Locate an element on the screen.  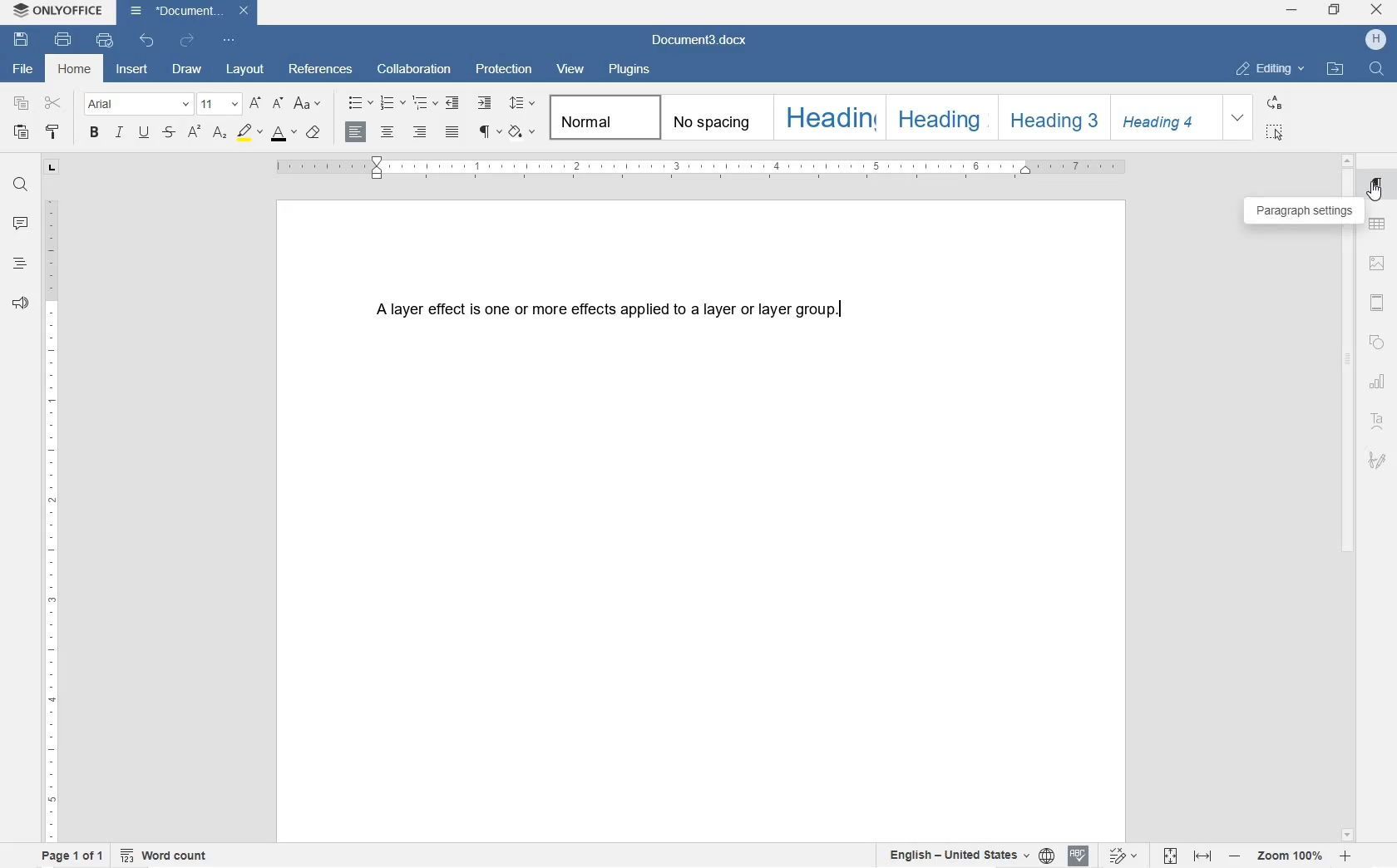
COLLABORATION is located at coordinates (416, 71).